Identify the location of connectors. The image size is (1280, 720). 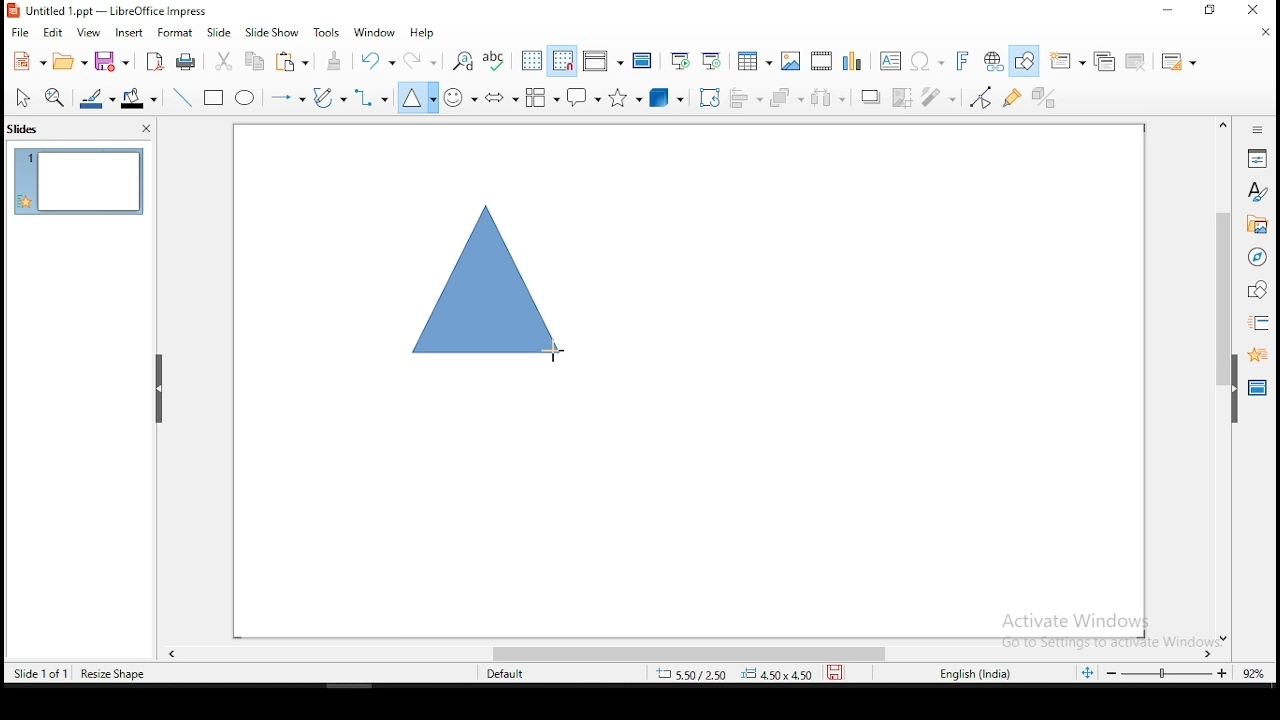
(371, 98).